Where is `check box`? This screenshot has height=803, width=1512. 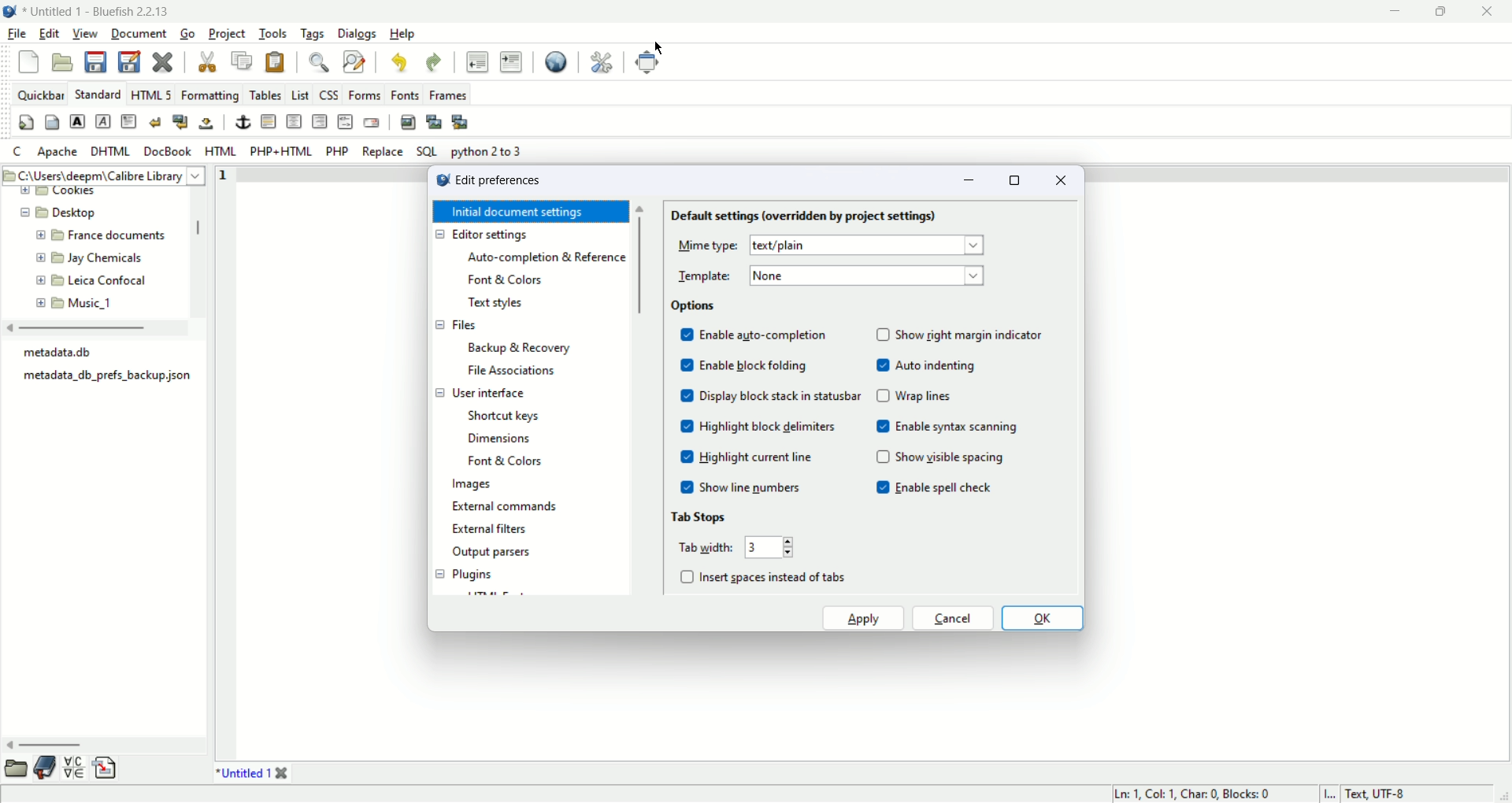
check box is located at coordinates (687, 408).